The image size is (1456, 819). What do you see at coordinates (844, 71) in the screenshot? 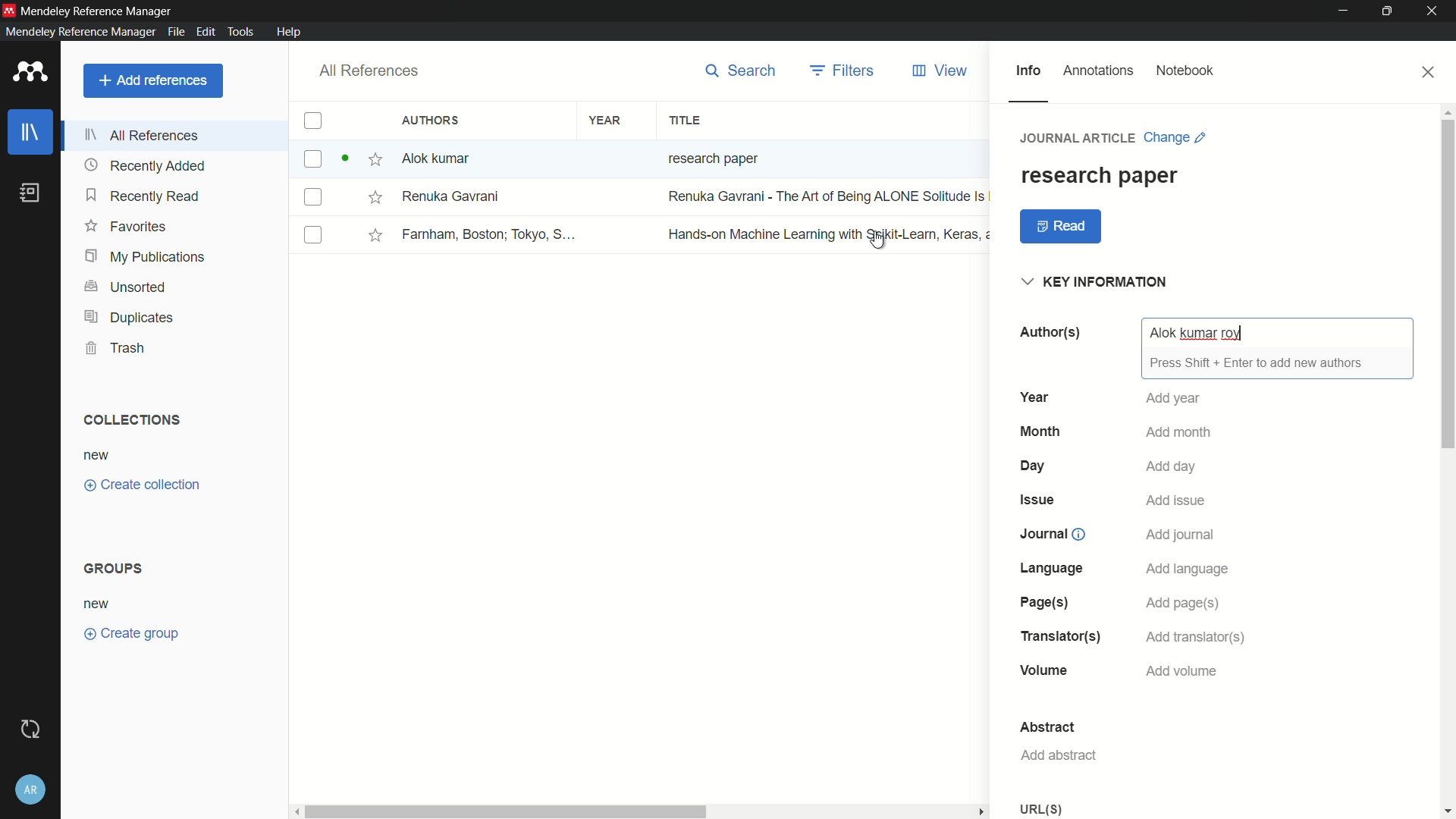
I see `filters` at bounding box center [844, 71].